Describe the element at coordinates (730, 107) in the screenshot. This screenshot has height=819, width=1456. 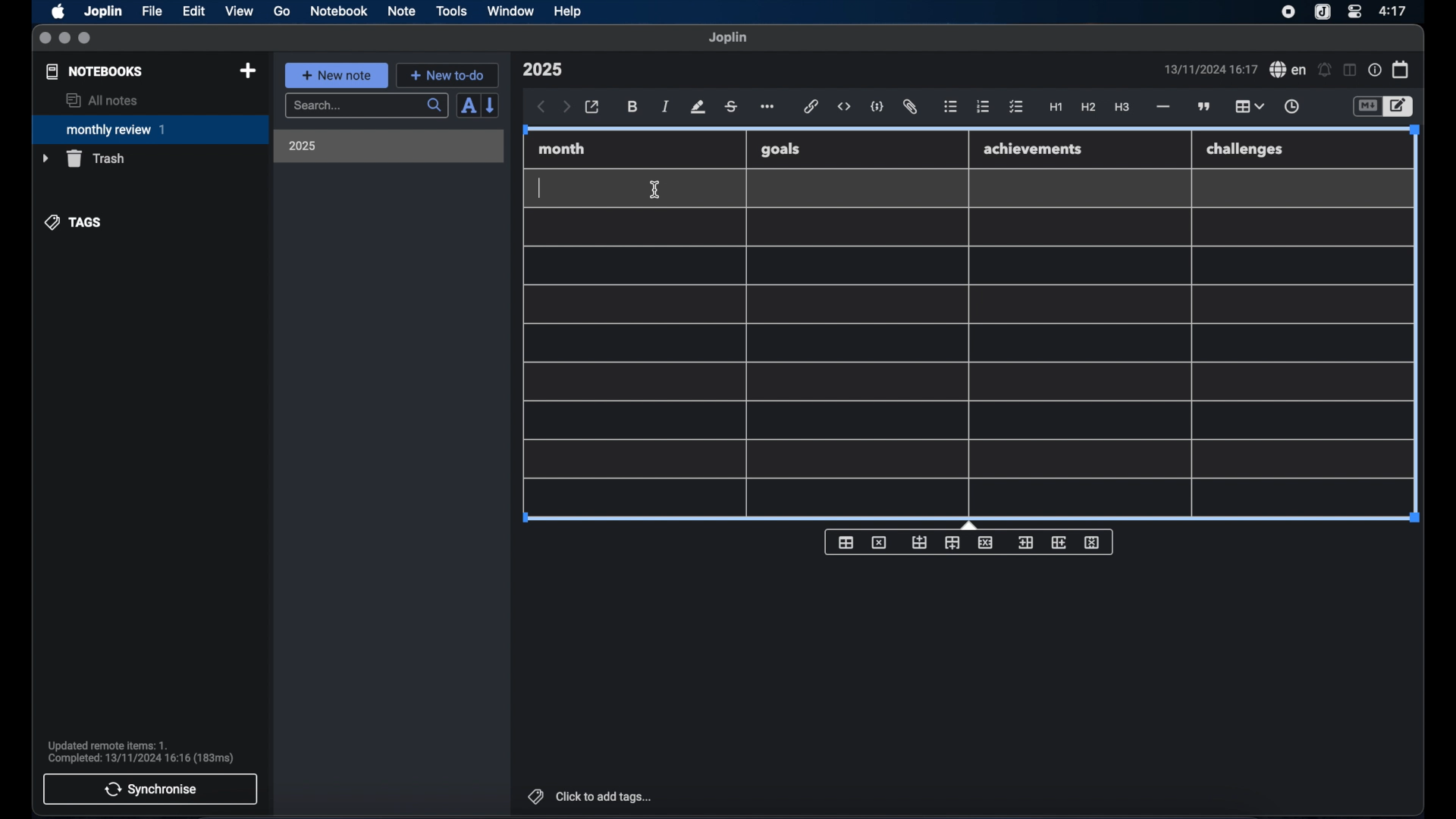
I see `strikethrough` at that location.